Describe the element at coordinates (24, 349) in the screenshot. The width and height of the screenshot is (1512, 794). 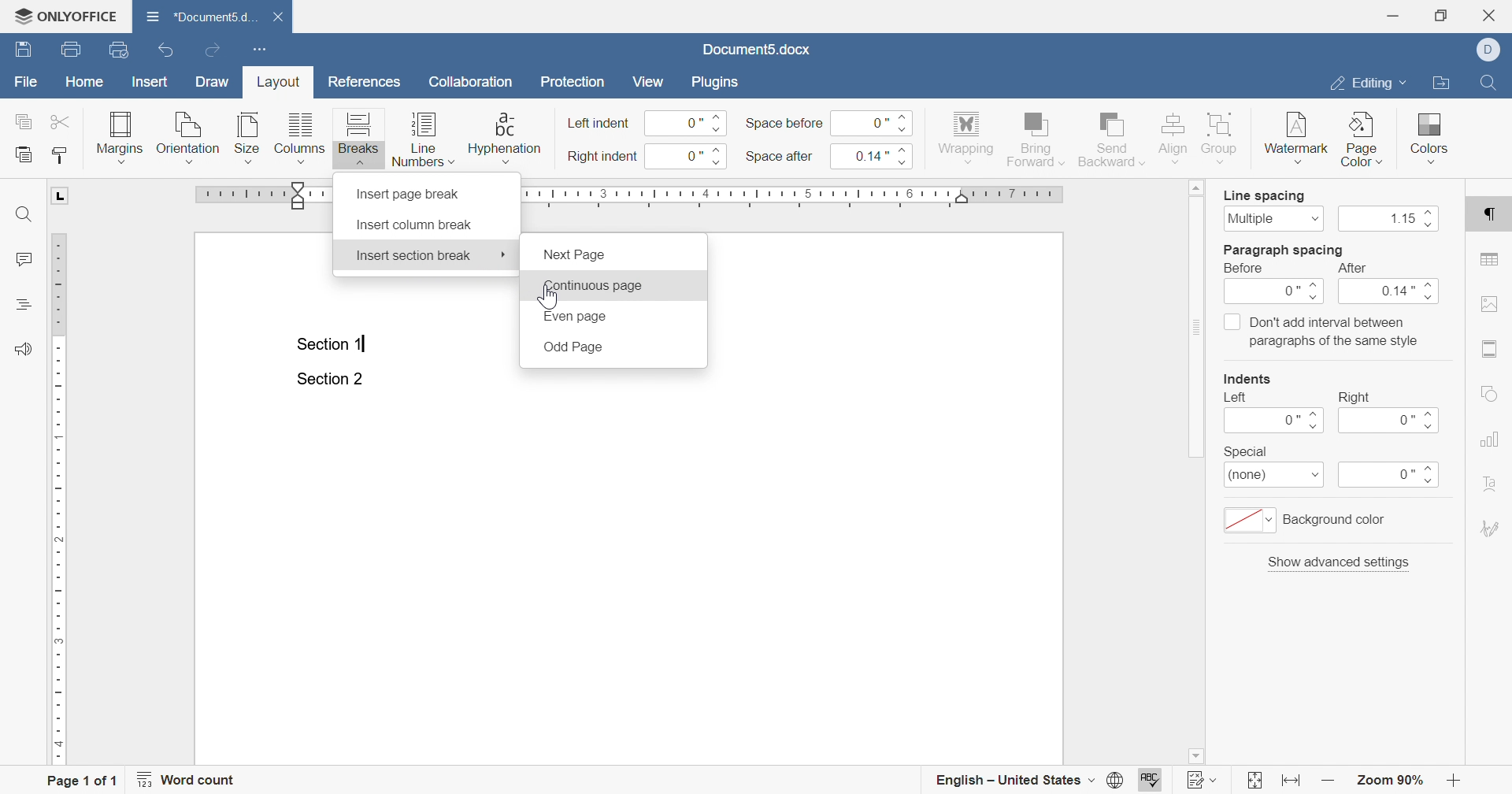
I see `feedback & support` at that location.